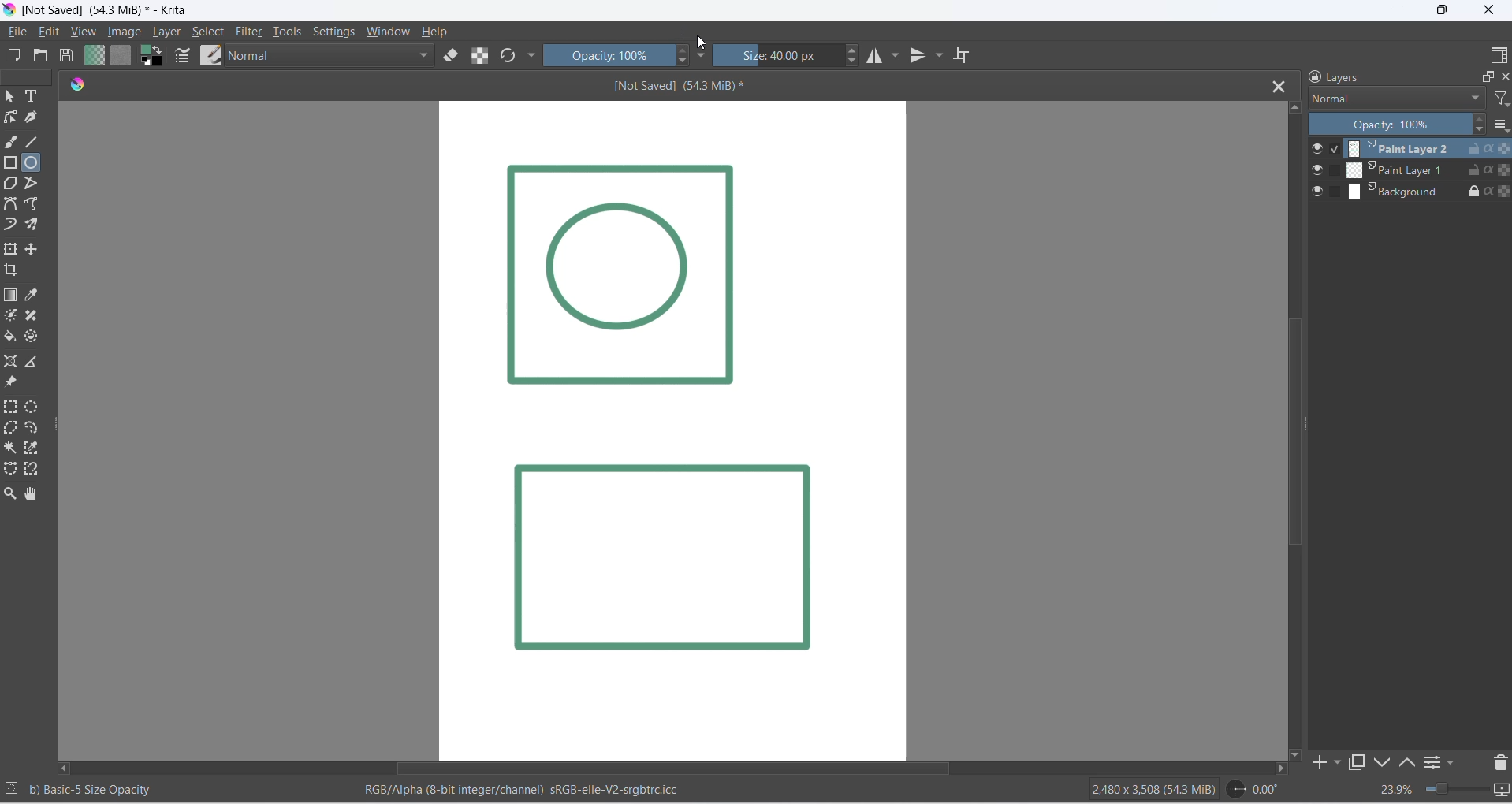  Describe the element at coordinates (11, 143) in the screenshot. I see `freehand brush tool` at that location.